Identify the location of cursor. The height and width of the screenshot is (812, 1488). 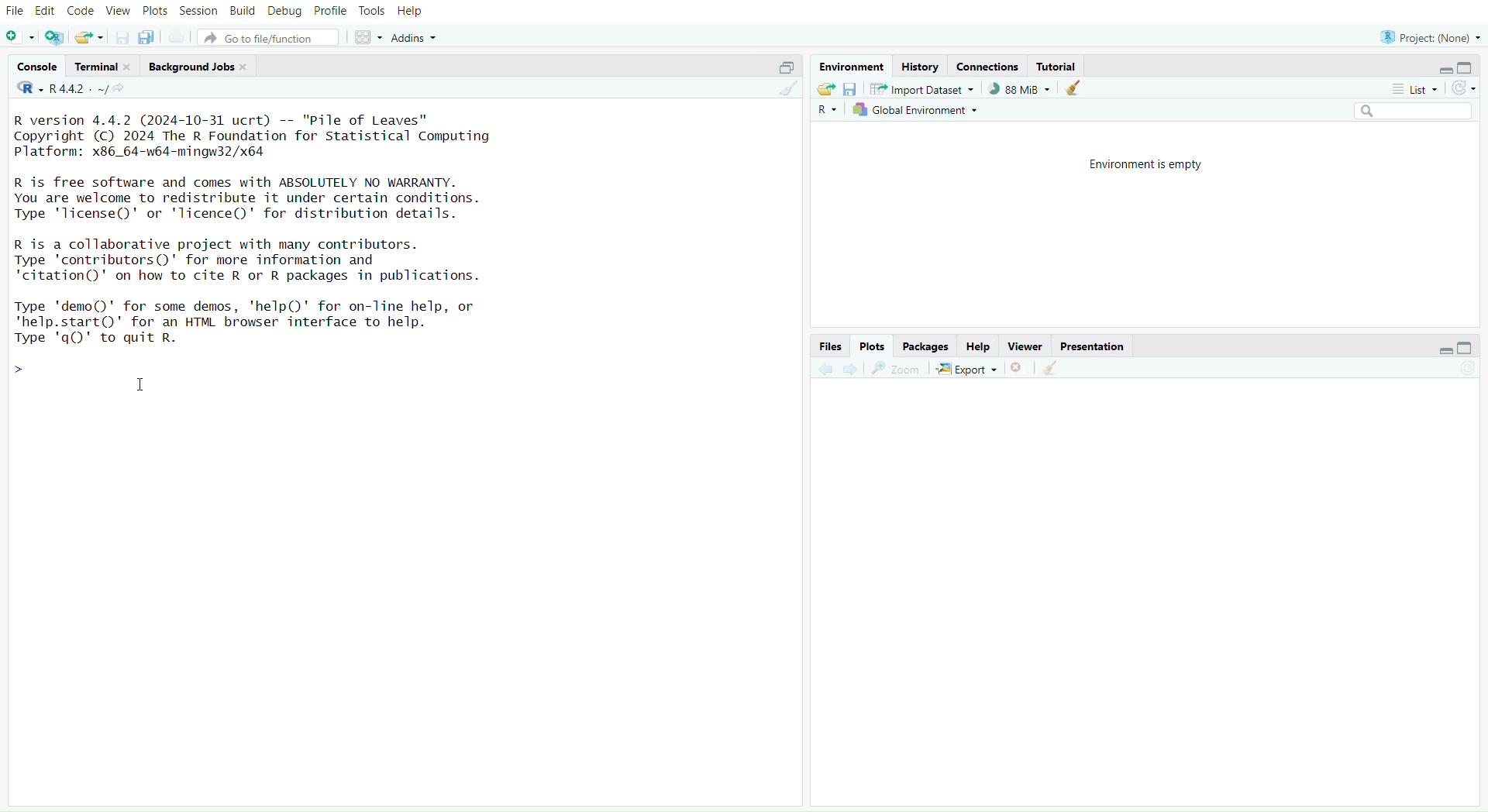
(143, 387).